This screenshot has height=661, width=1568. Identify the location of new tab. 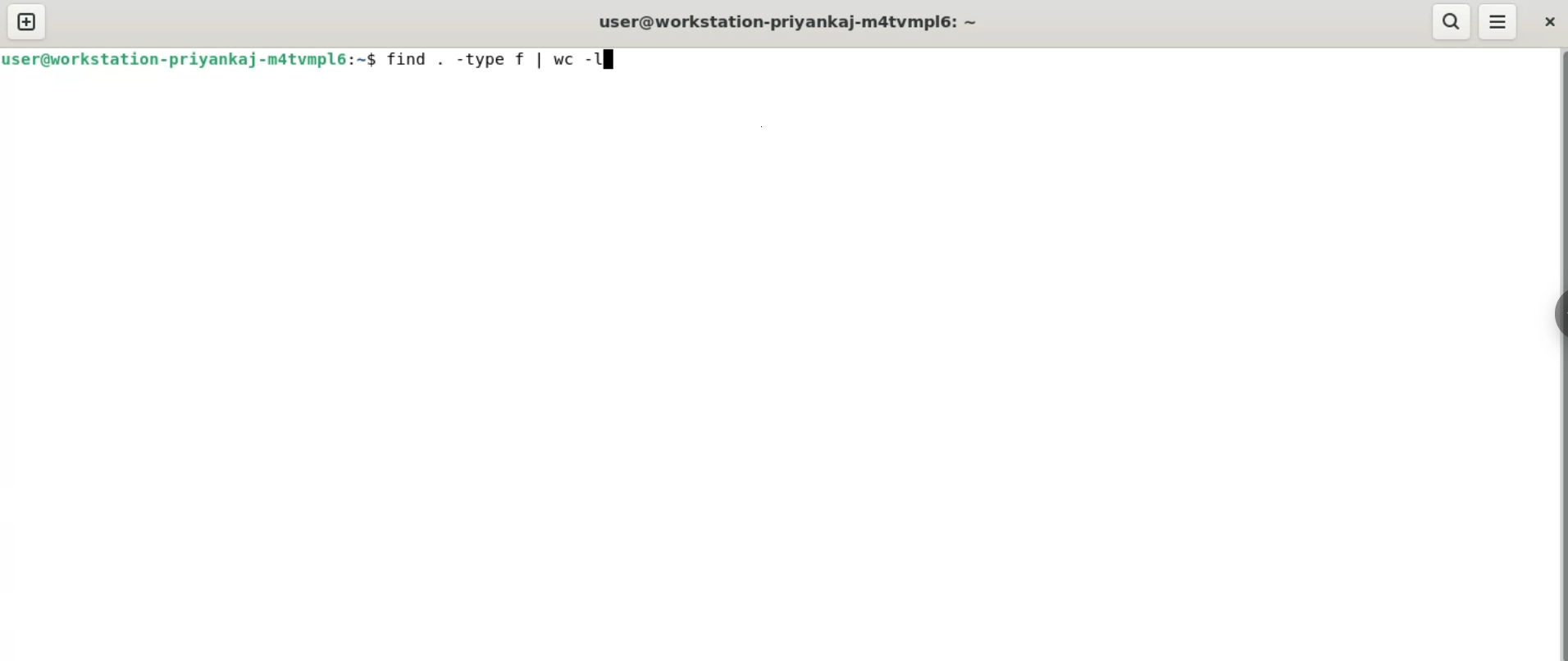
(28, 22).